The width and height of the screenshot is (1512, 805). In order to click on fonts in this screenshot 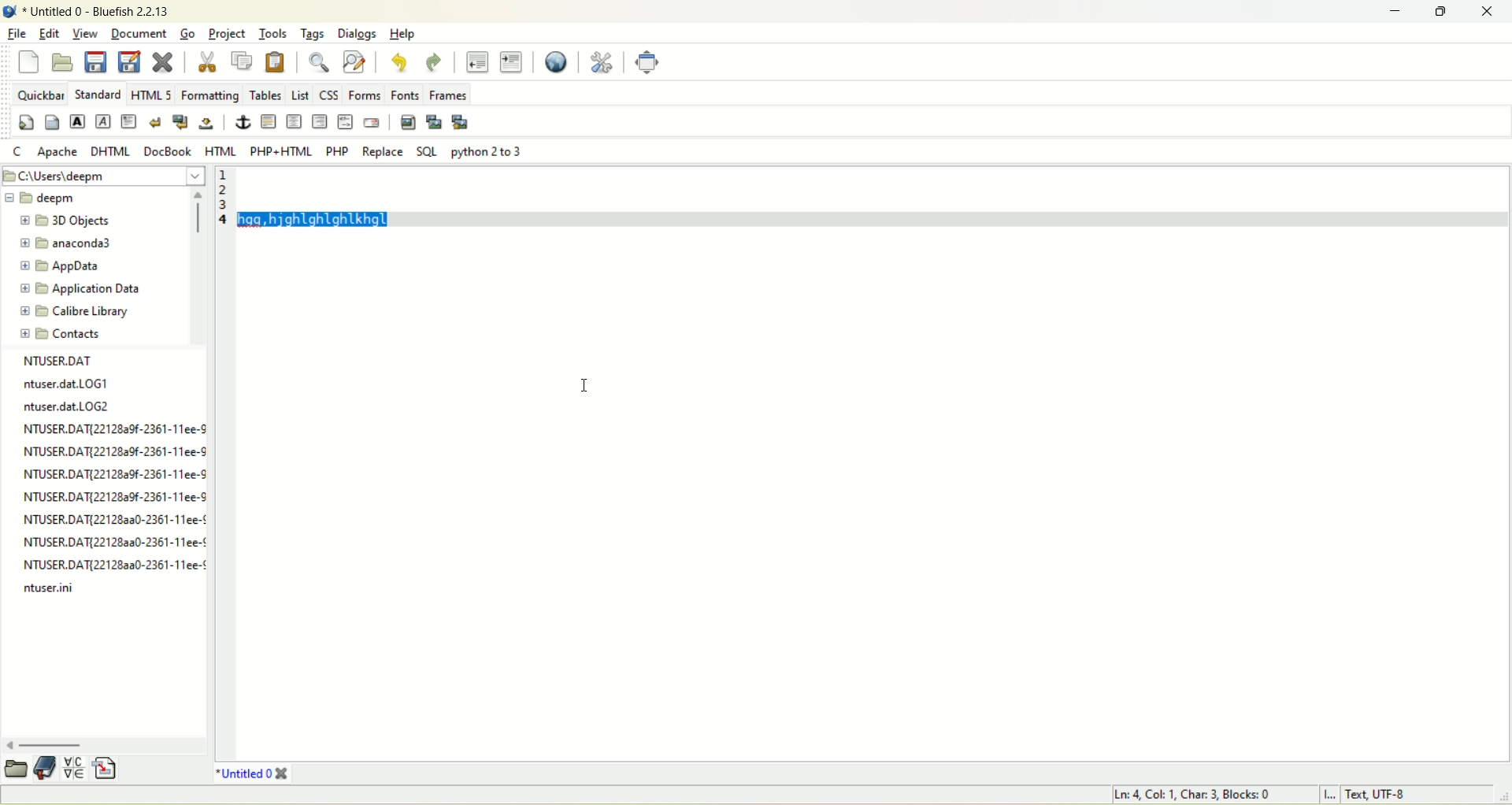, I will do `click(406, 95)`.